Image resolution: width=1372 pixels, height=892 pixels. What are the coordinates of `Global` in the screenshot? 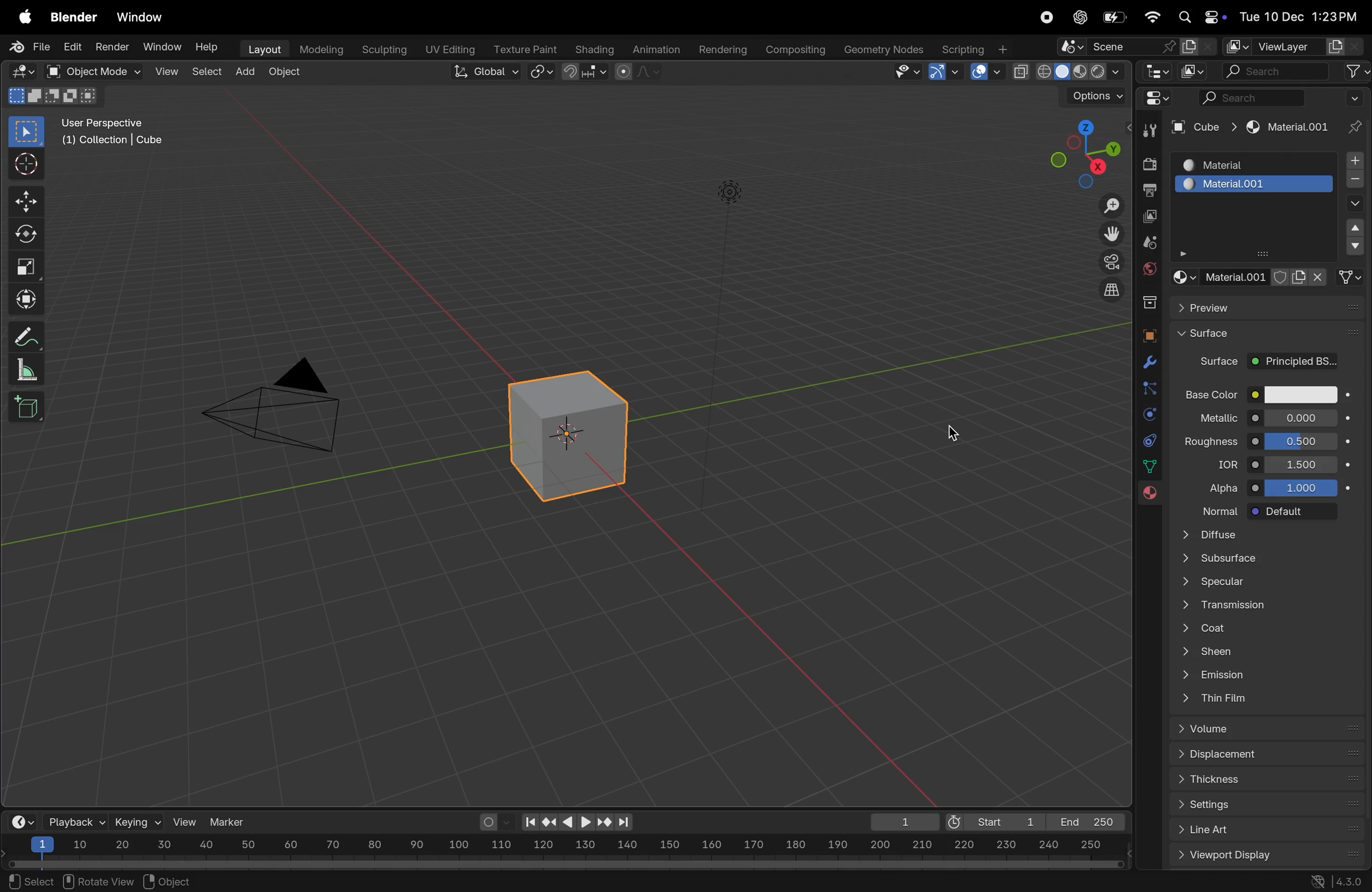 It's located at (482, 71).